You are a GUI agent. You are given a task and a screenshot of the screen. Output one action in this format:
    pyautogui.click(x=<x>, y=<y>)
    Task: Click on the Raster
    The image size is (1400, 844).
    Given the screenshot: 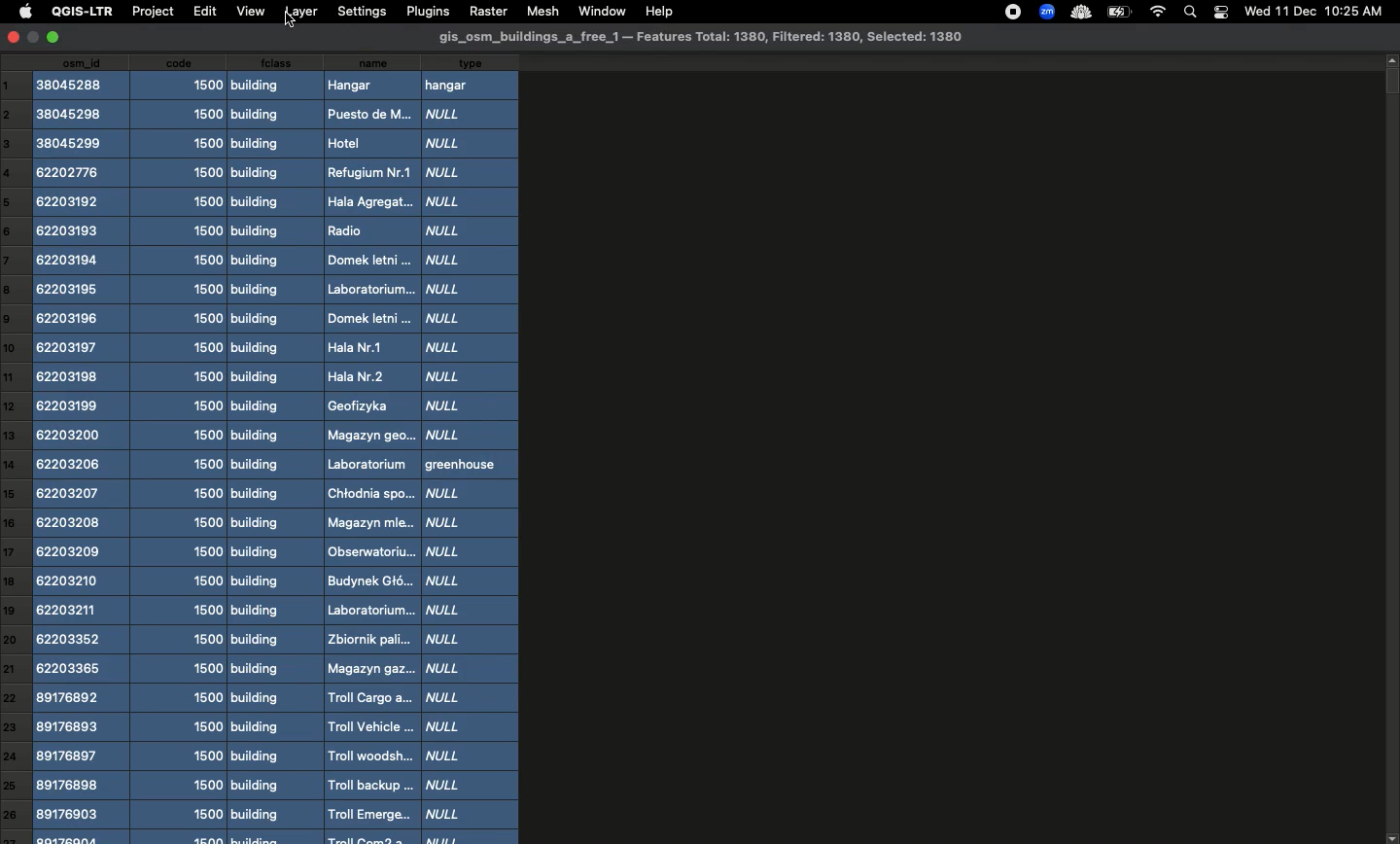 What is the action you would take?
    pyautogui.click(x=487, y=11)
    